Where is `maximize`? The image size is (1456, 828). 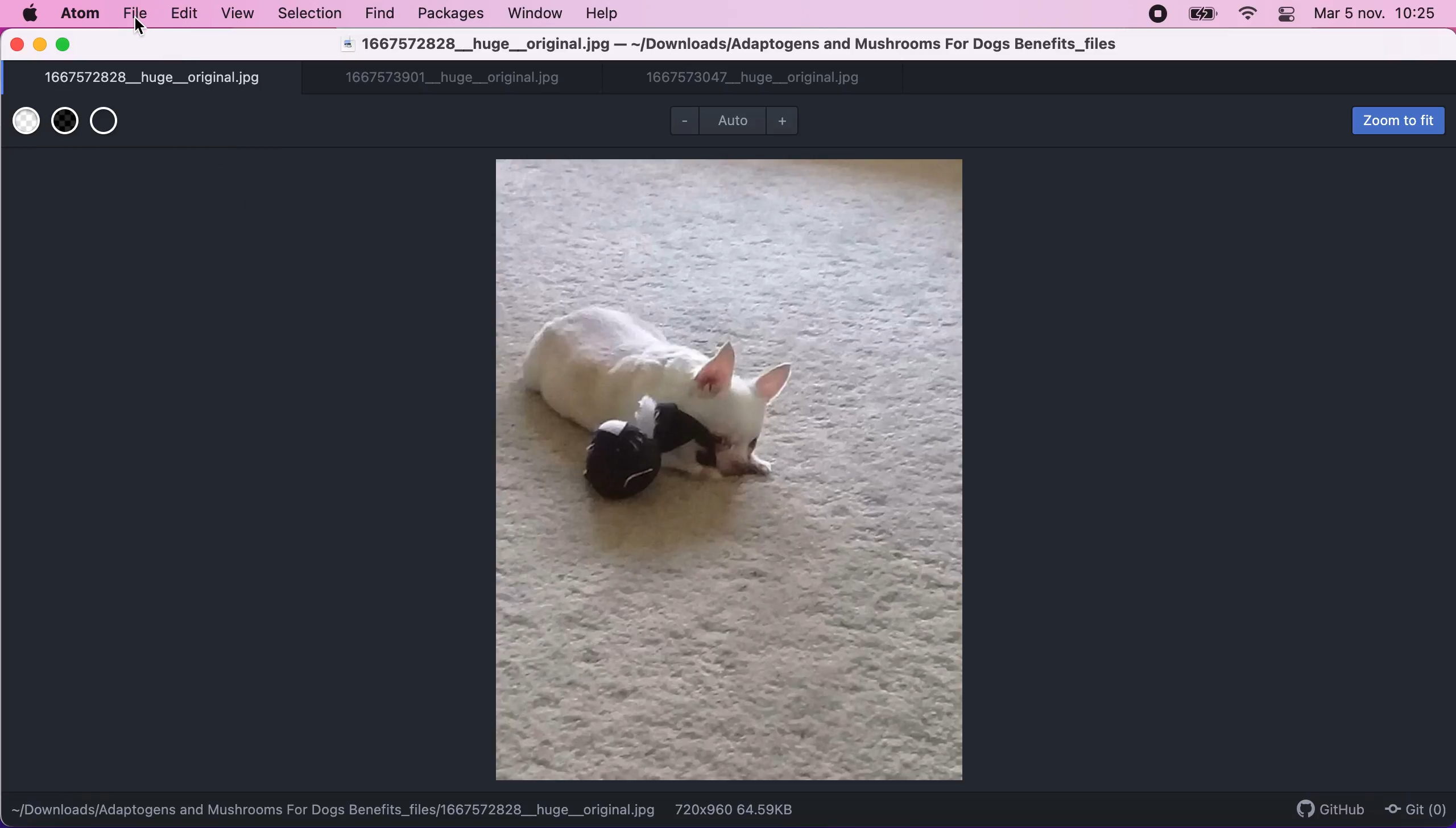 maximize is located at coordinates (65, 44).